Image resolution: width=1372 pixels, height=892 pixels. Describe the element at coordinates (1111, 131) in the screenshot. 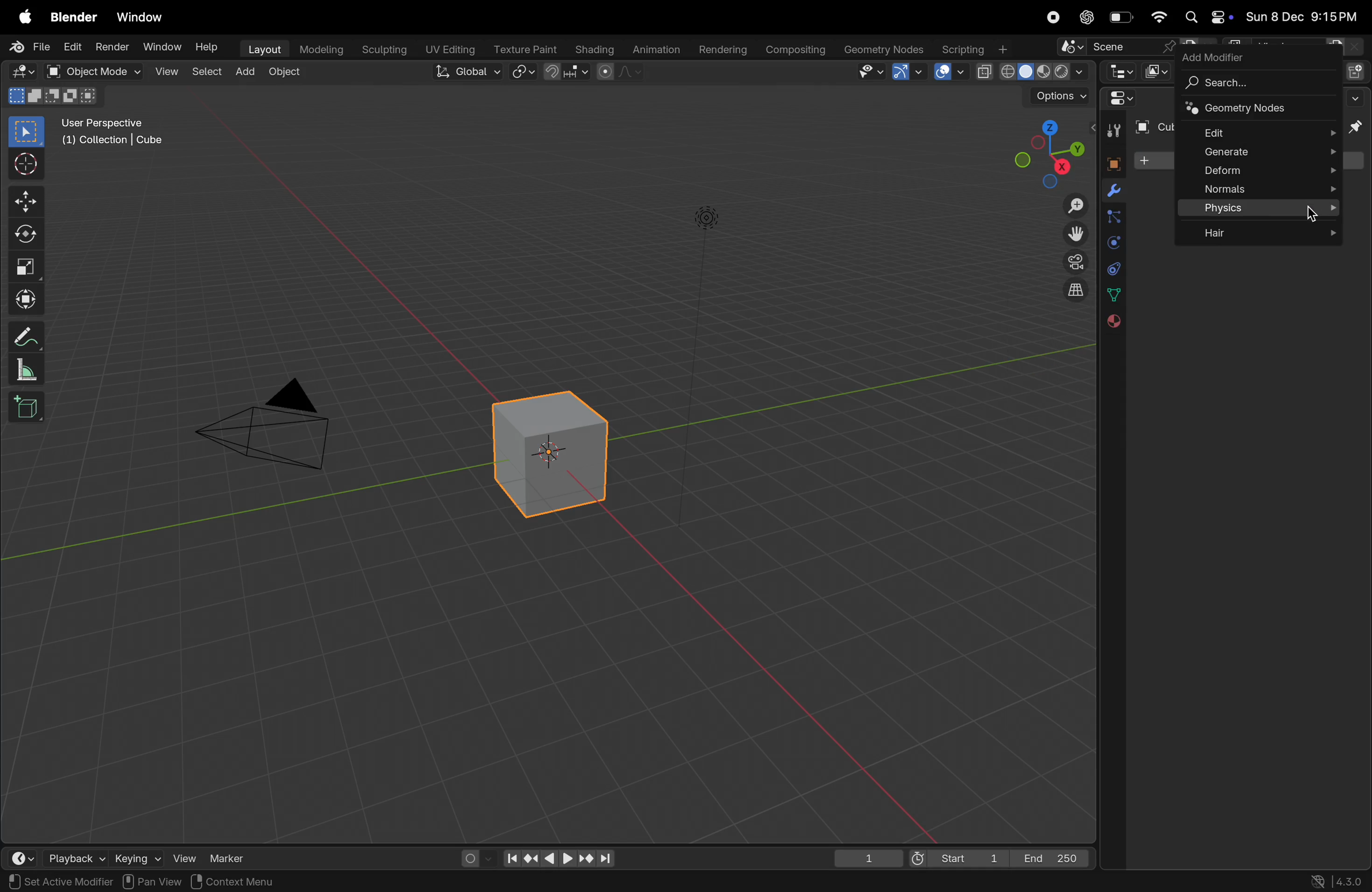

I see `tool` at that location.